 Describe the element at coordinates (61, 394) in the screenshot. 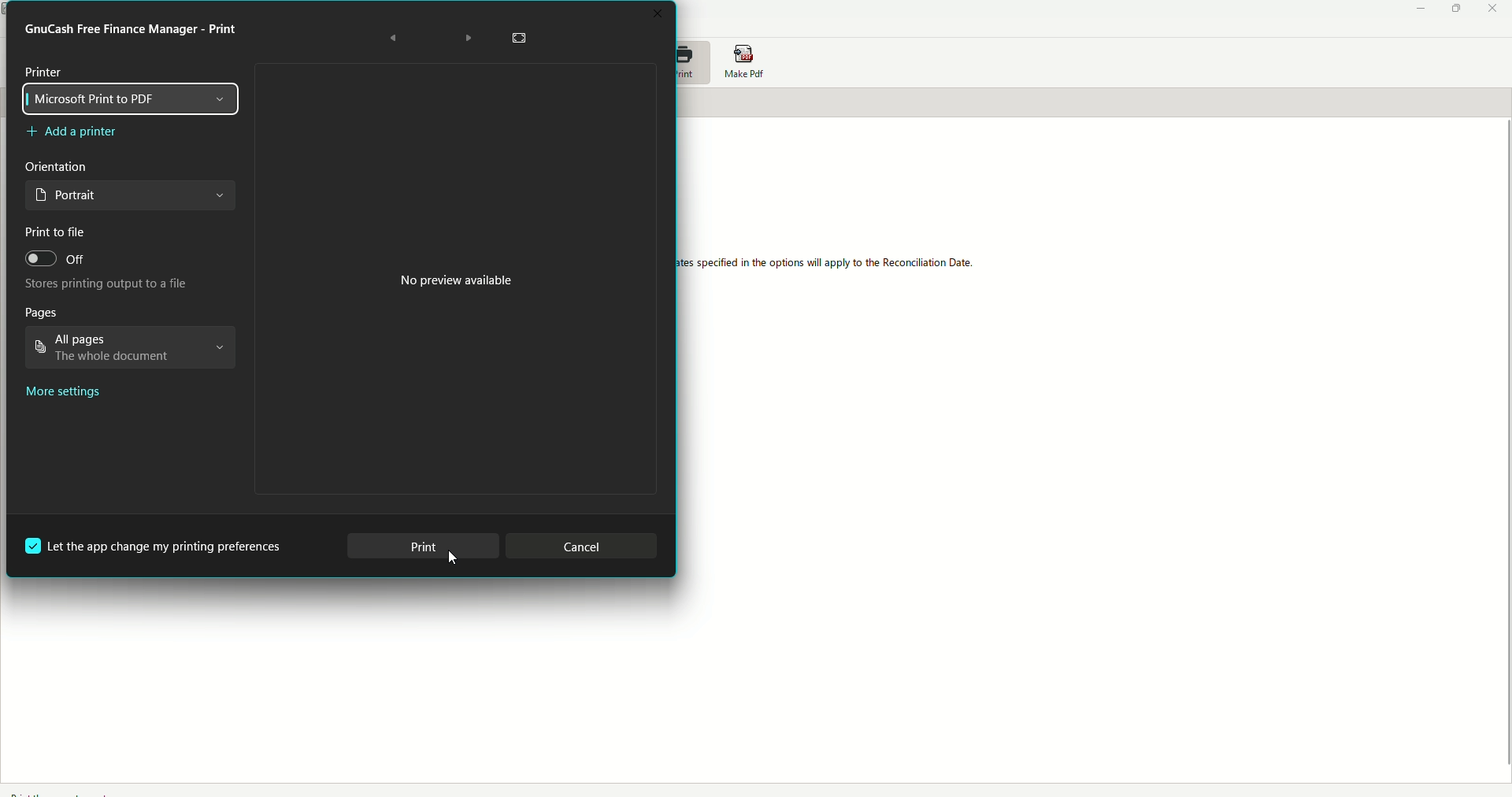

I see `More settings` at that location.